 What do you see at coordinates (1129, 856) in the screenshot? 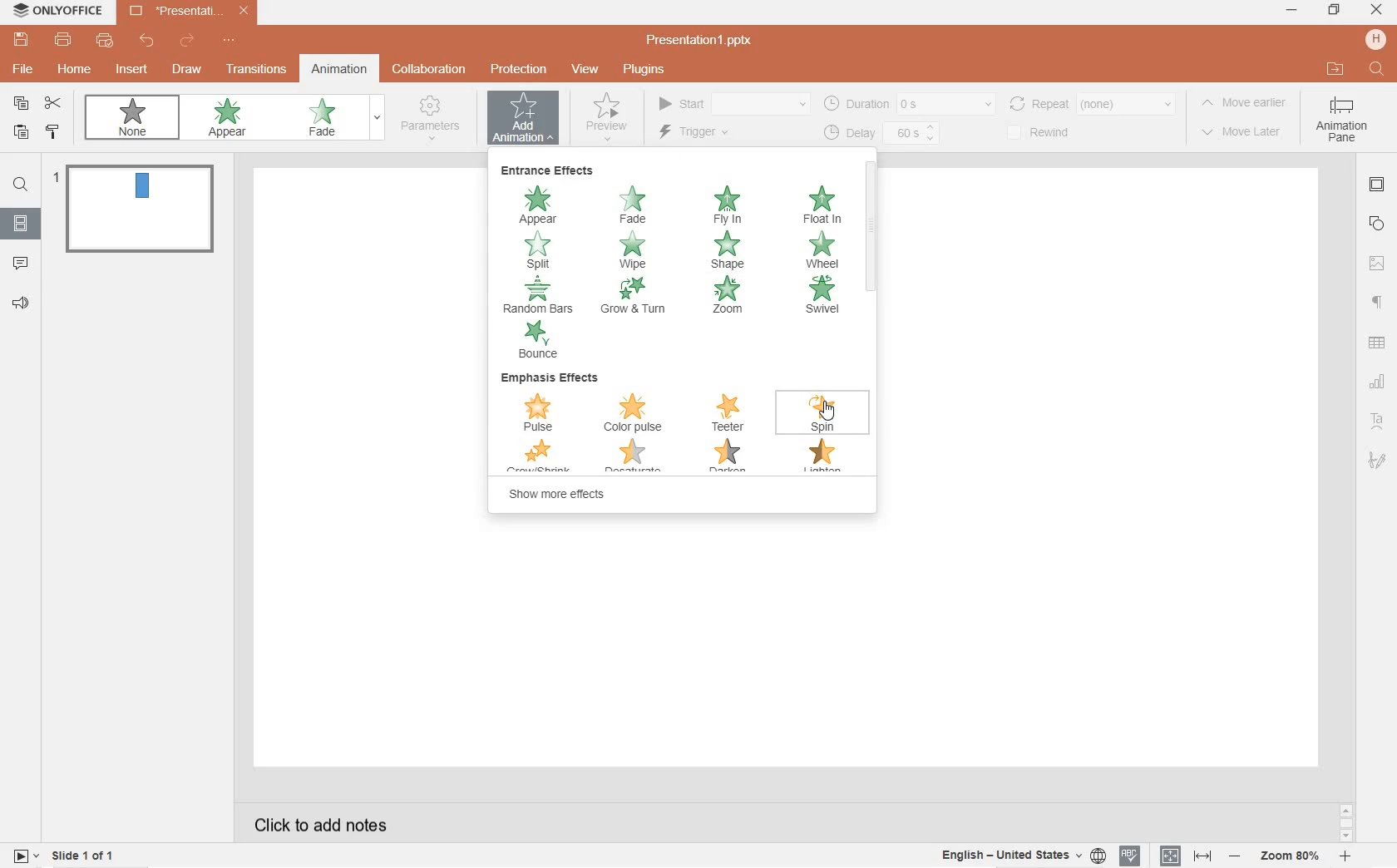
I see `spell checking` at bounding box center [1129, 856].